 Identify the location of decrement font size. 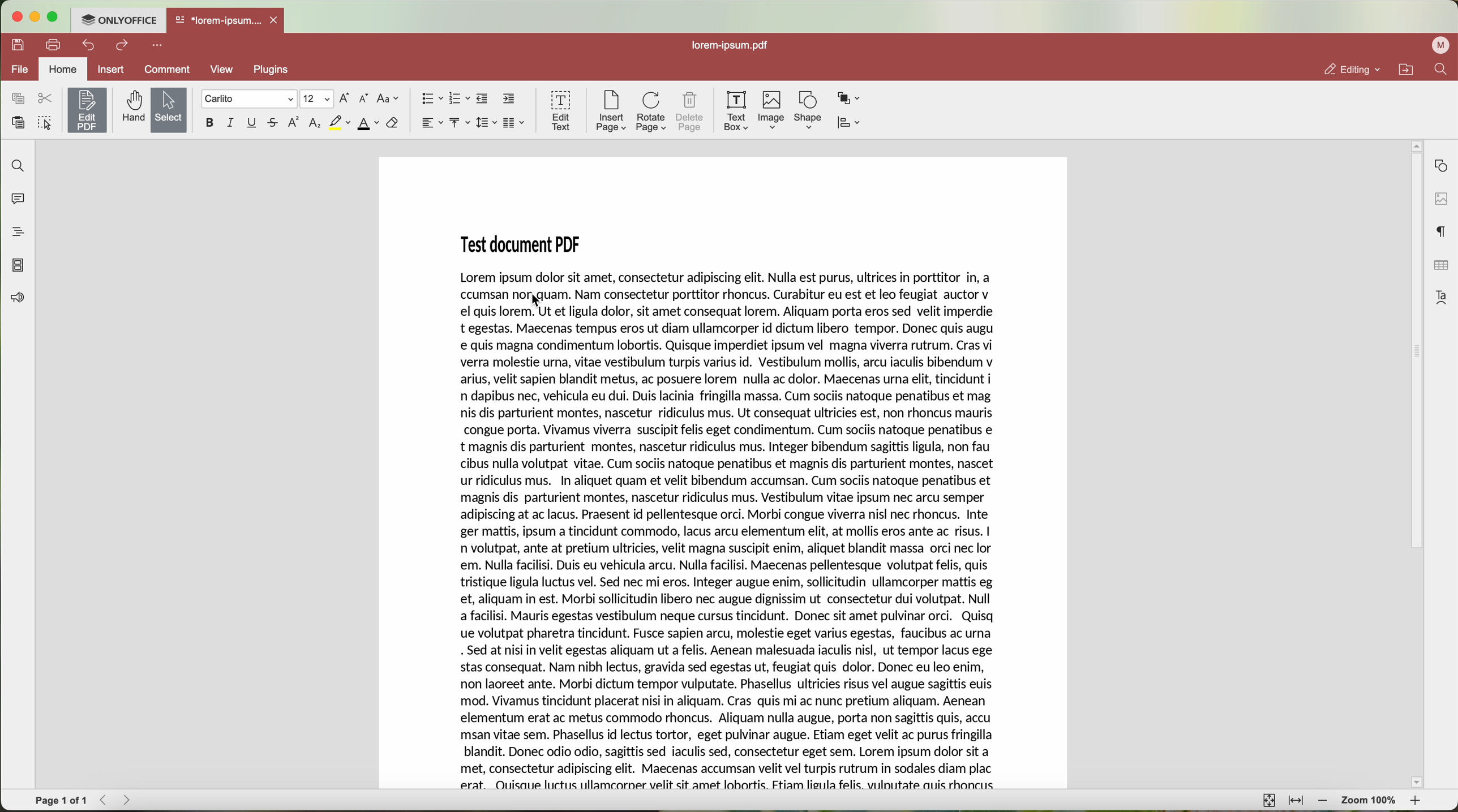
(365, 99).